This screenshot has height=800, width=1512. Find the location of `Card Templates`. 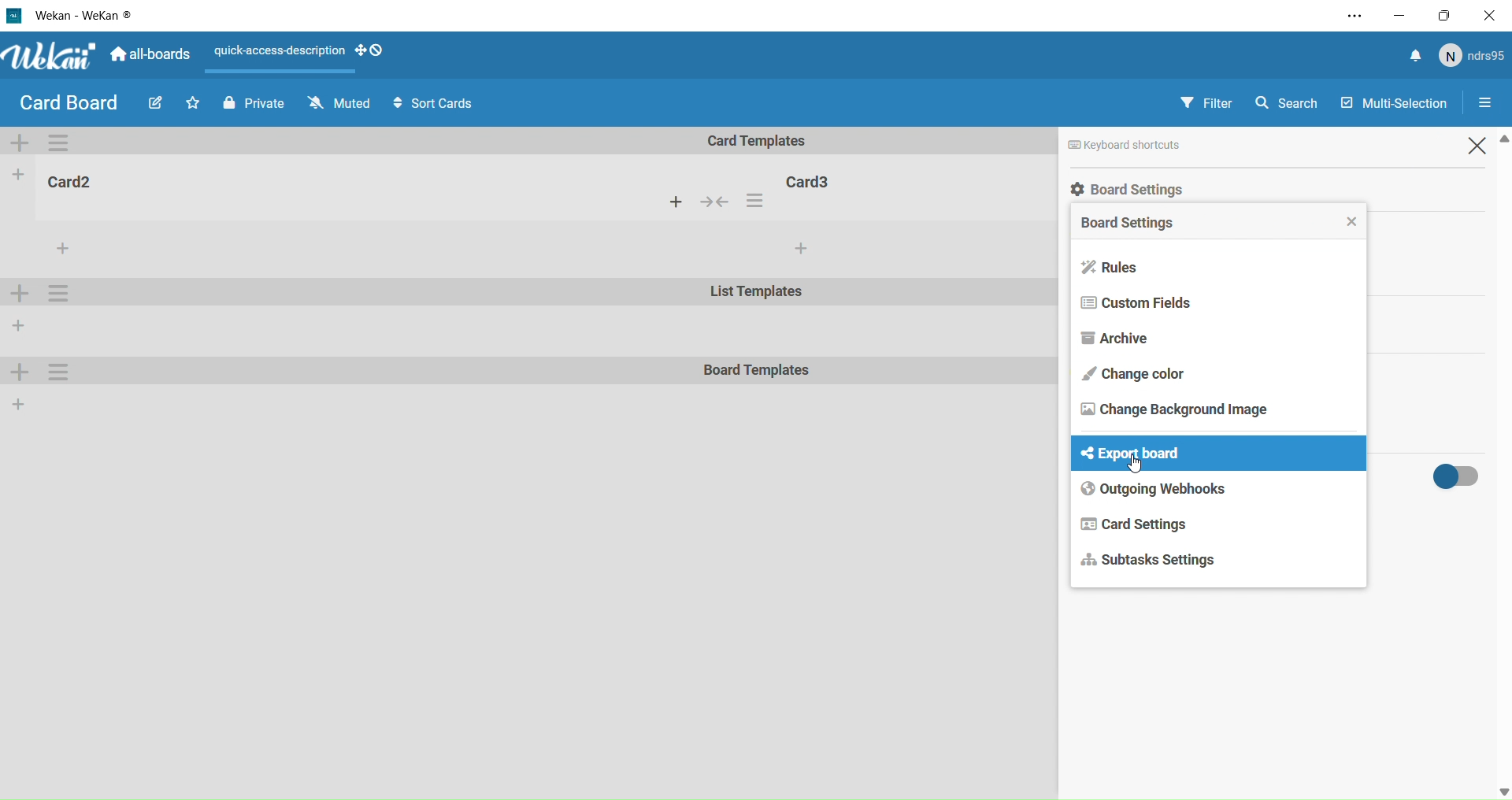

Card Templates is located at coordinates (768, 141).